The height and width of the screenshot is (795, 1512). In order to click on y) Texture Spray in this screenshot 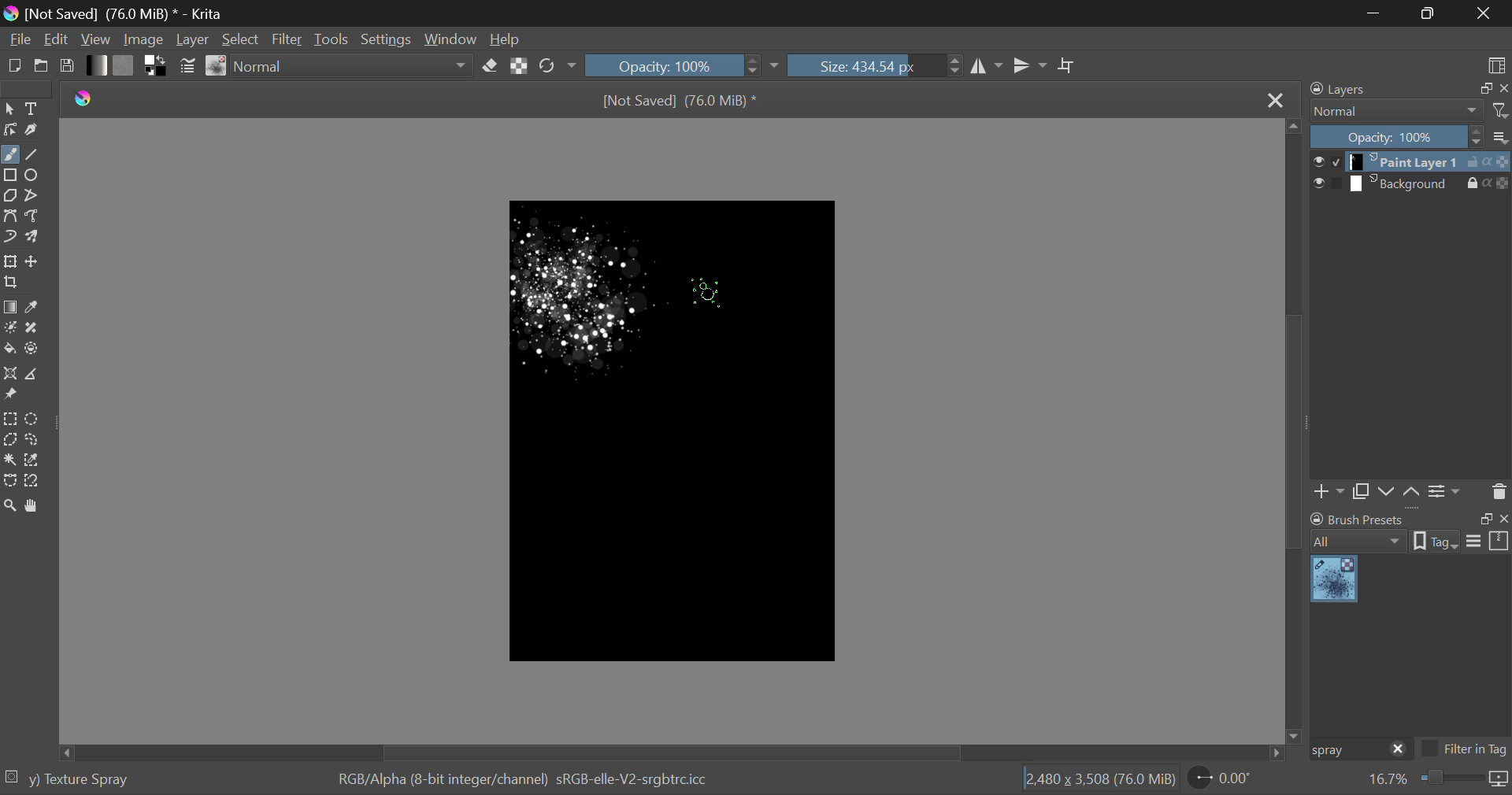, I will do `click(79, 780)`.